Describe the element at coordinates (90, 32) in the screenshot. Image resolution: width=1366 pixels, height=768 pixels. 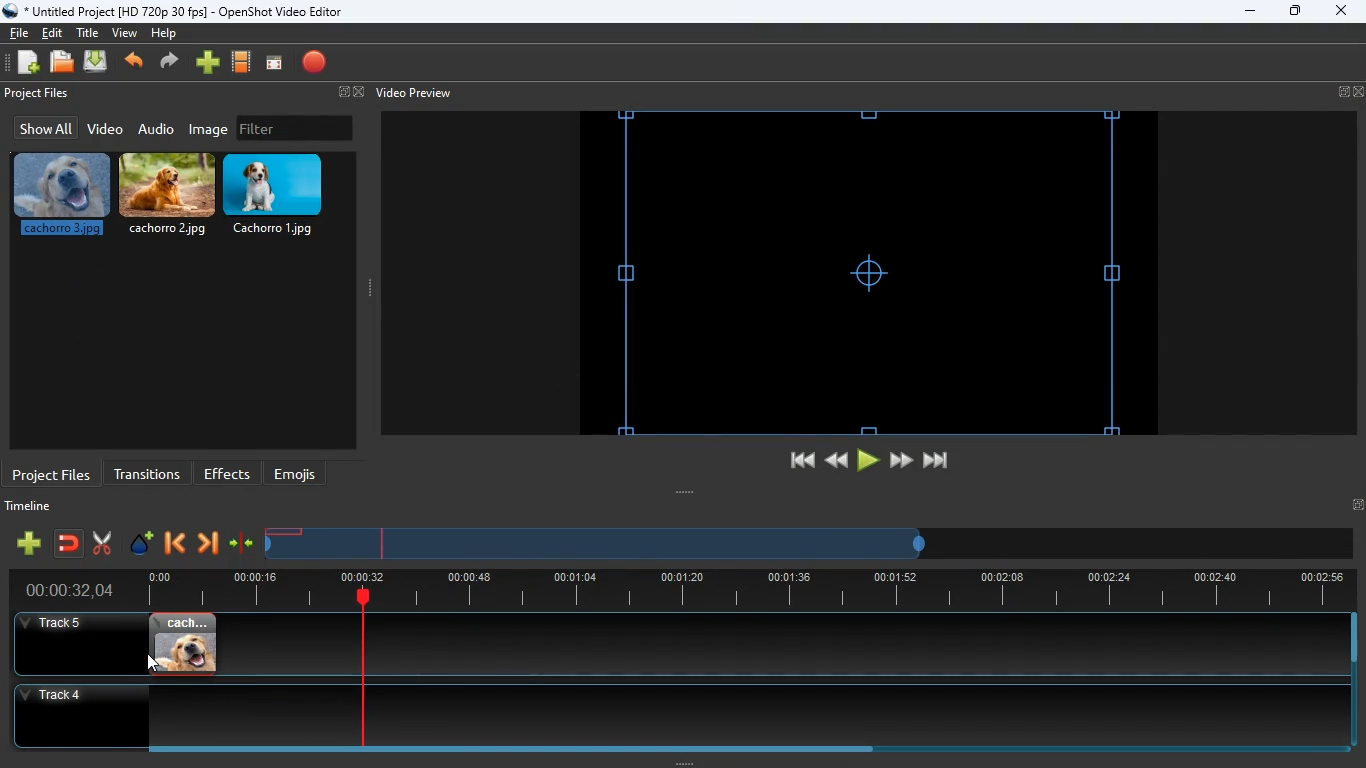
I see `title` at that location.